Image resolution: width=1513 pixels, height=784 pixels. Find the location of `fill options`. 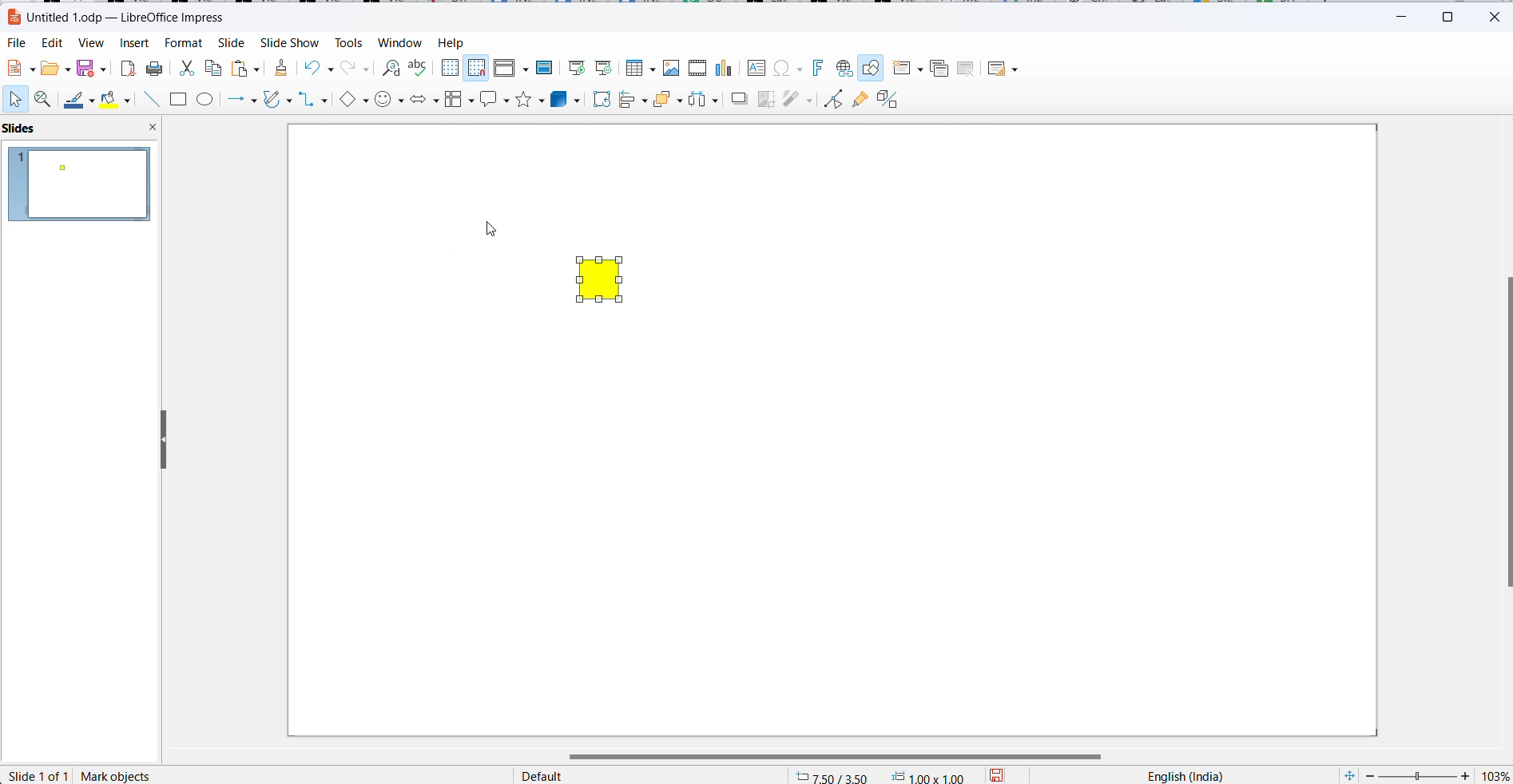

fill options is located at coordinates (54, 69).